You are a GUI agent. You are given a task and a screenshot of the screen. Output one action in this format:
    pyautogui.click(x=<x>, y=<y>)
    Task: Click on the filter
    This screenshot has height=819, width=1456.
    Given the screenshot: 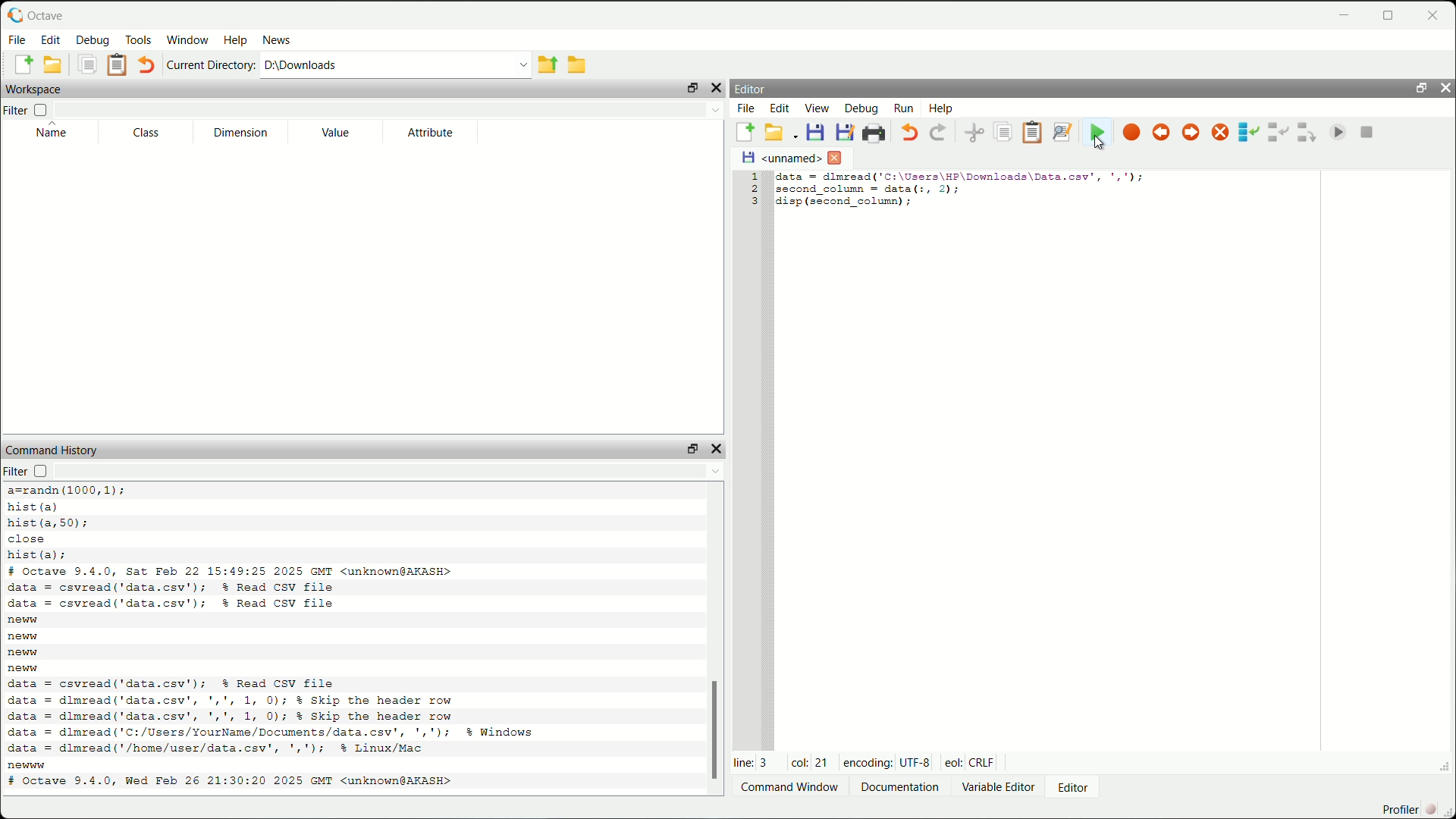 What is the action you would take?
    pyautogui.click(x=28, y=111)
    